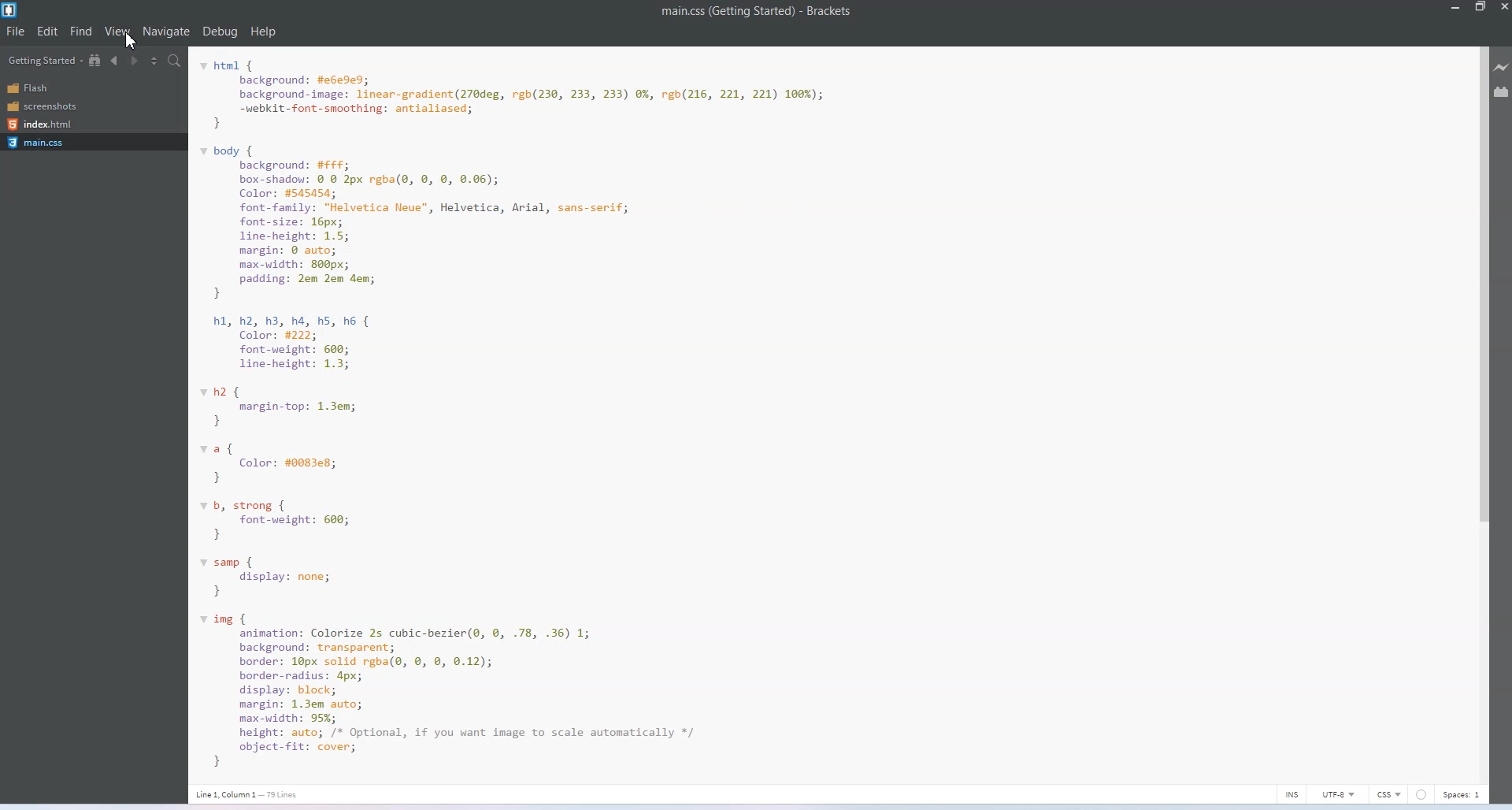 This screenshot has width=1512, height=810. What do you see at coordinates (1503, 66) in the screenshot?
I see `Live Preview` at bounding box center [1503, 66].